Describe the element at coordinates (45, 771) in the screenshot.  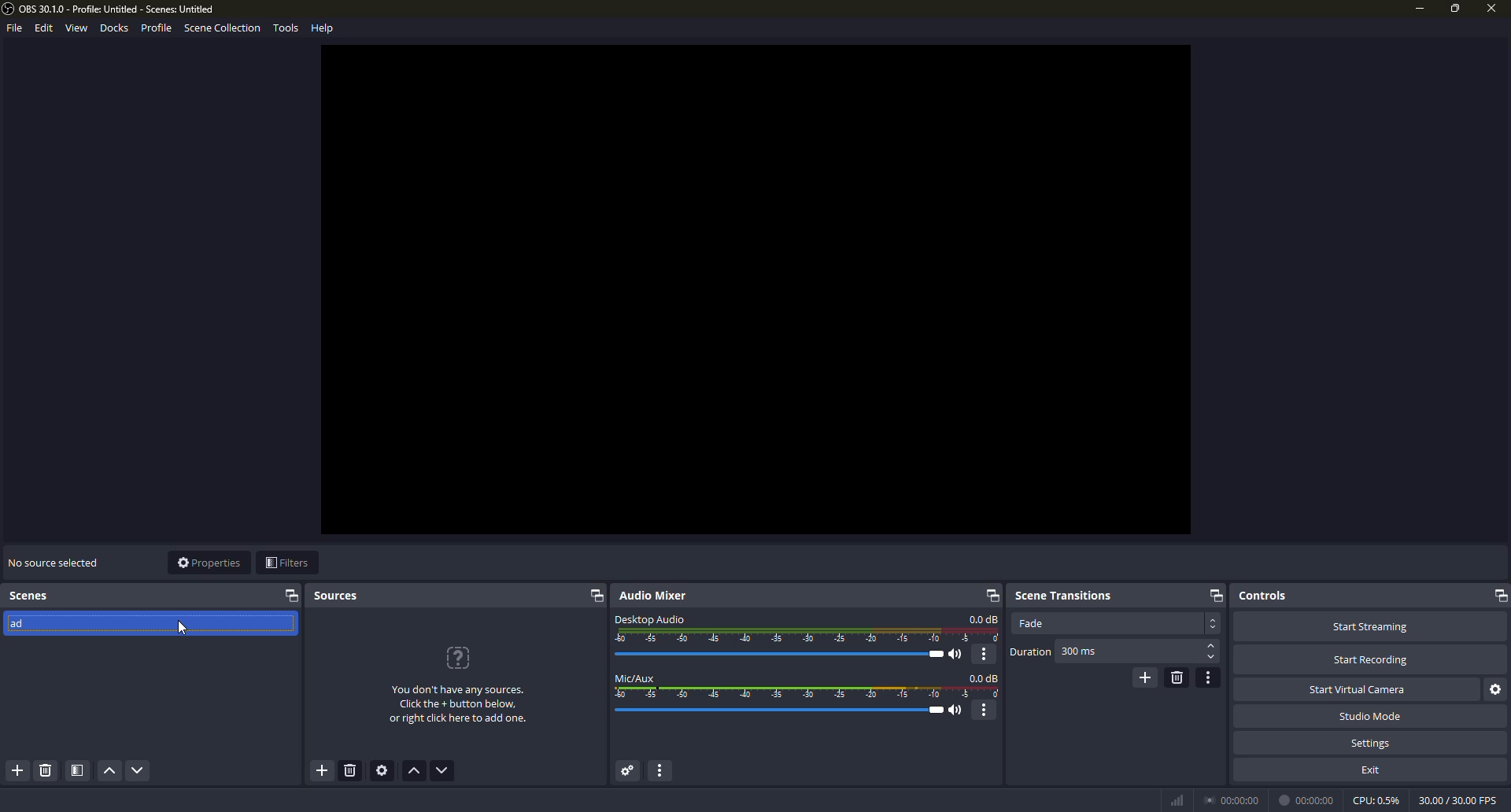
I see `remove selected scene` at that location.